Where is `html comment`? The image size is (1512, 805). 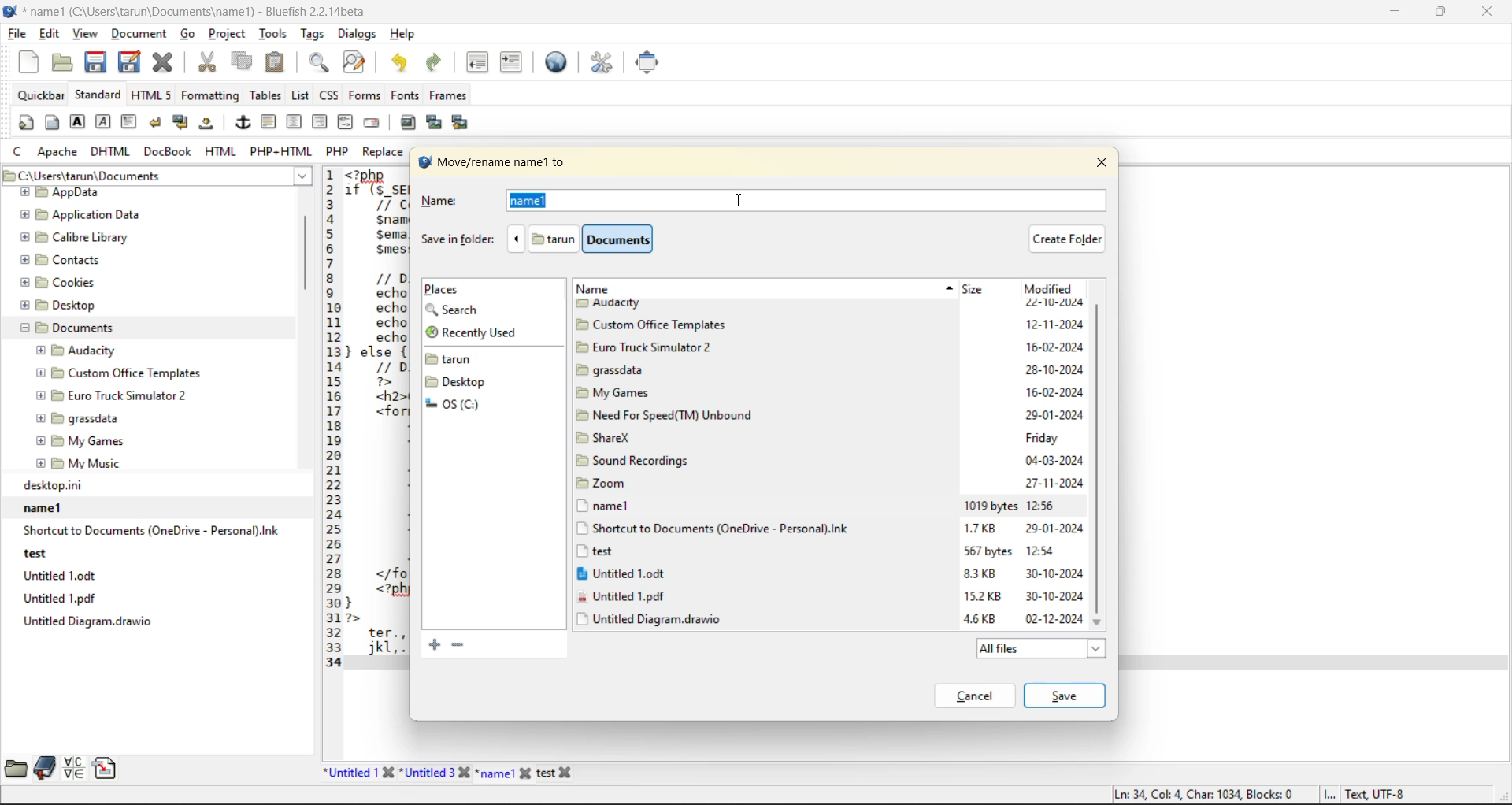 html comment is located at coordinates (346, 123).